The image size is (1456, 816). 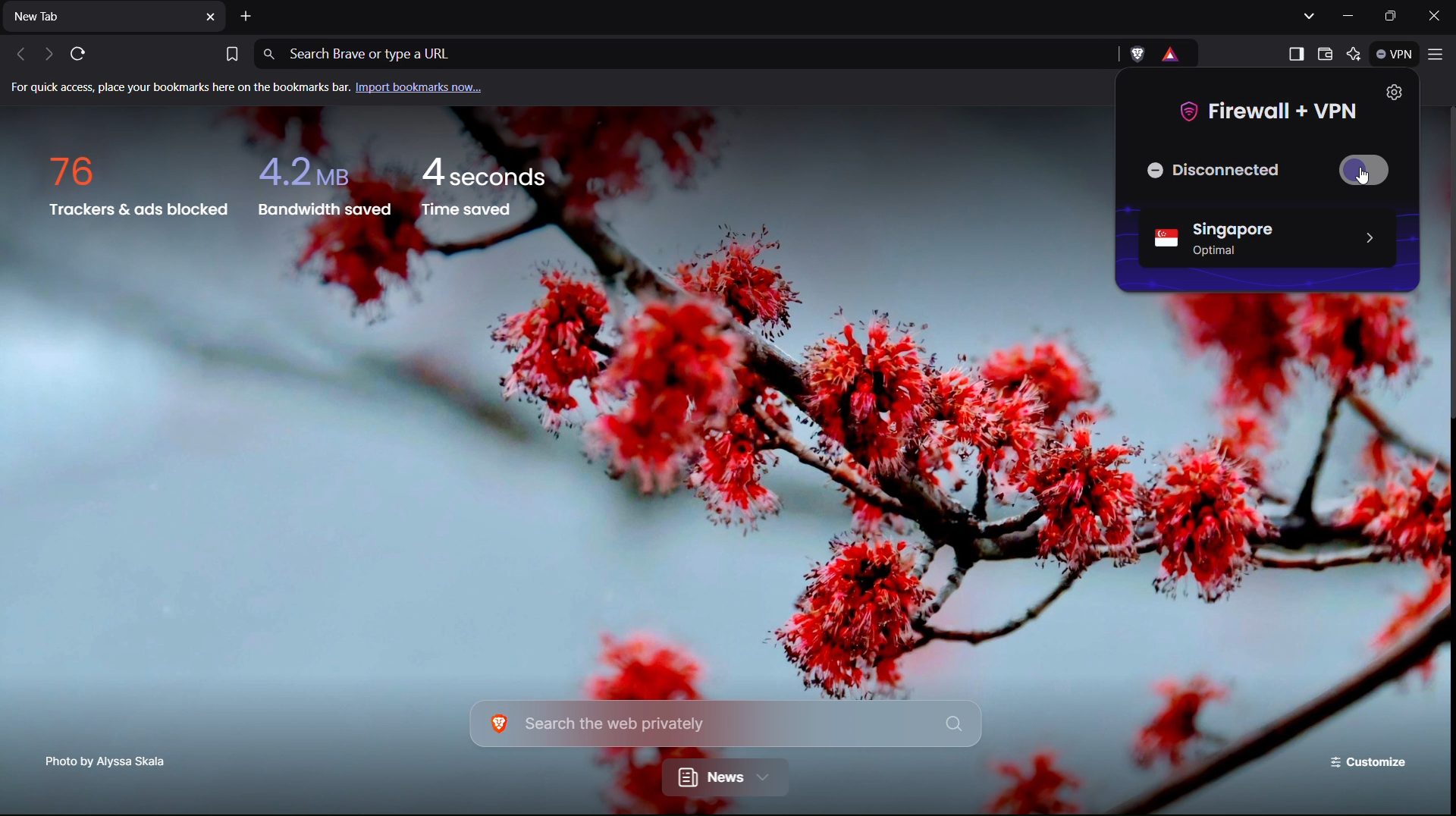 What do you see at coordinates (1370, 171) in the screenshot?
I see `Button` at bounding box center [1370, 171].